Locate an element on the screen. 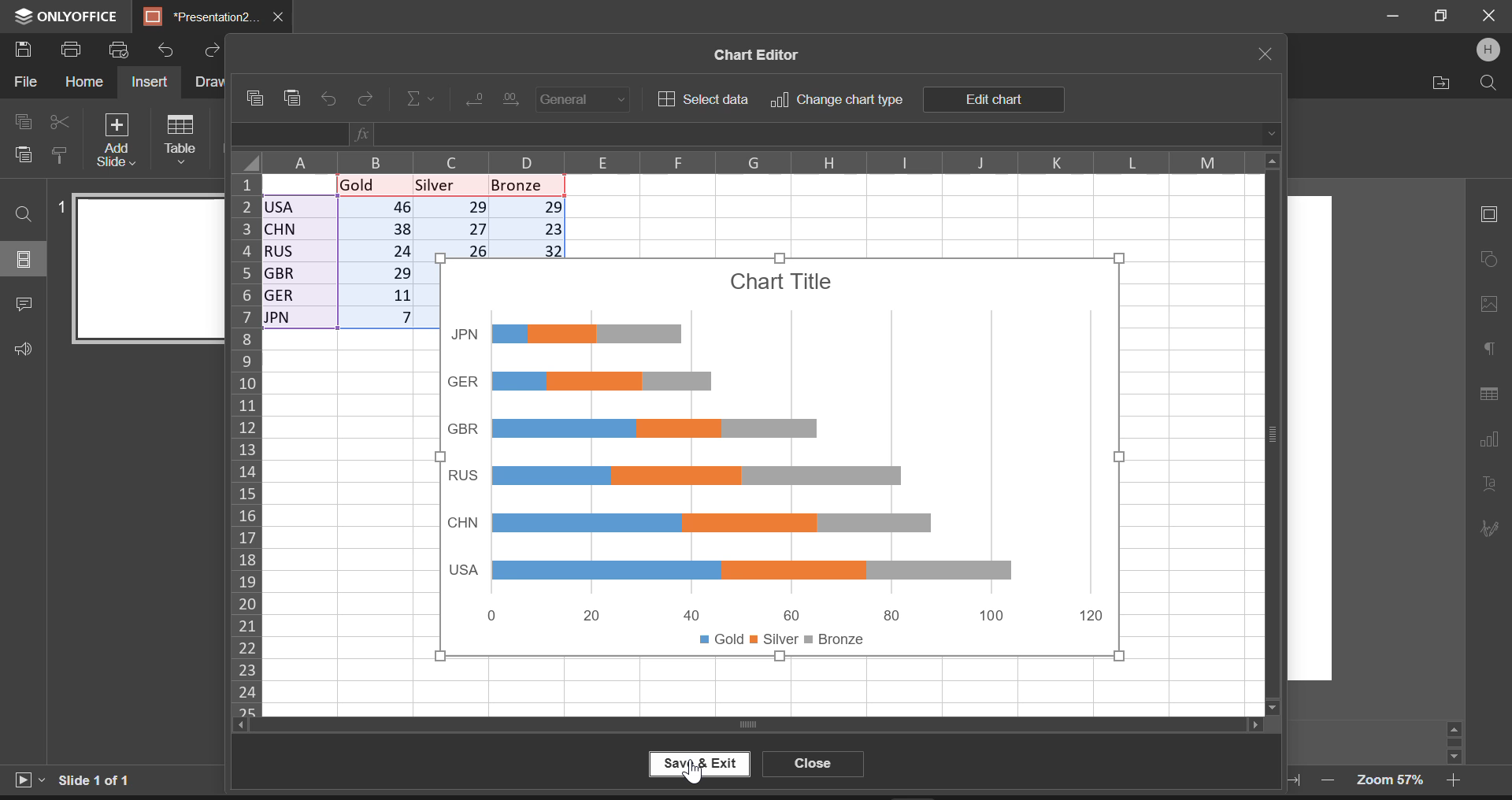 The height and width of the screenshot is (800, 1512). Select data is located at coordinates (700, 98).